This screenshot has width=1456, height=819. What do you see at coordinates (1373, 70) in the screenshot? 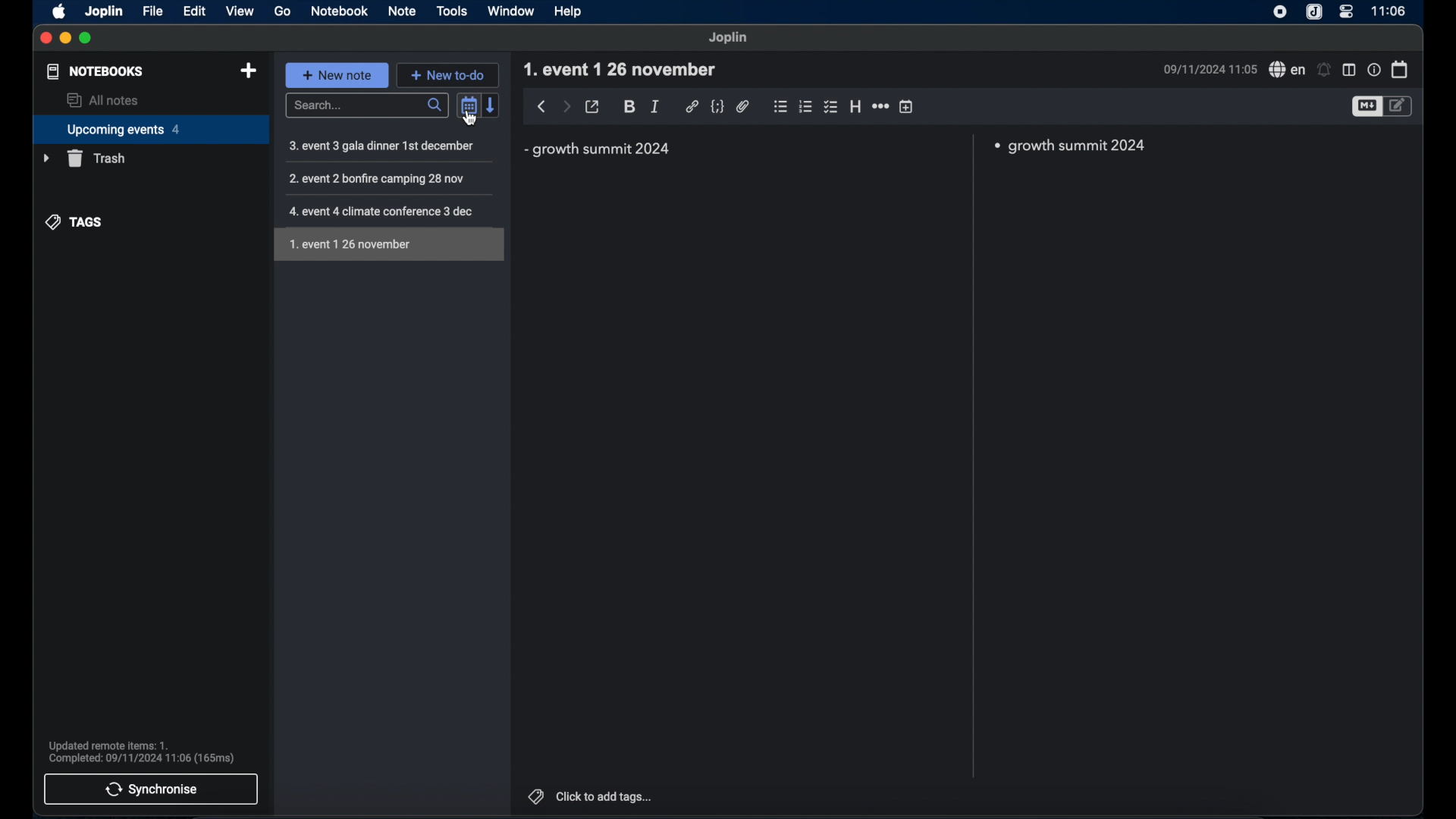
I see `note properties` at bounding box center [1373, 70].